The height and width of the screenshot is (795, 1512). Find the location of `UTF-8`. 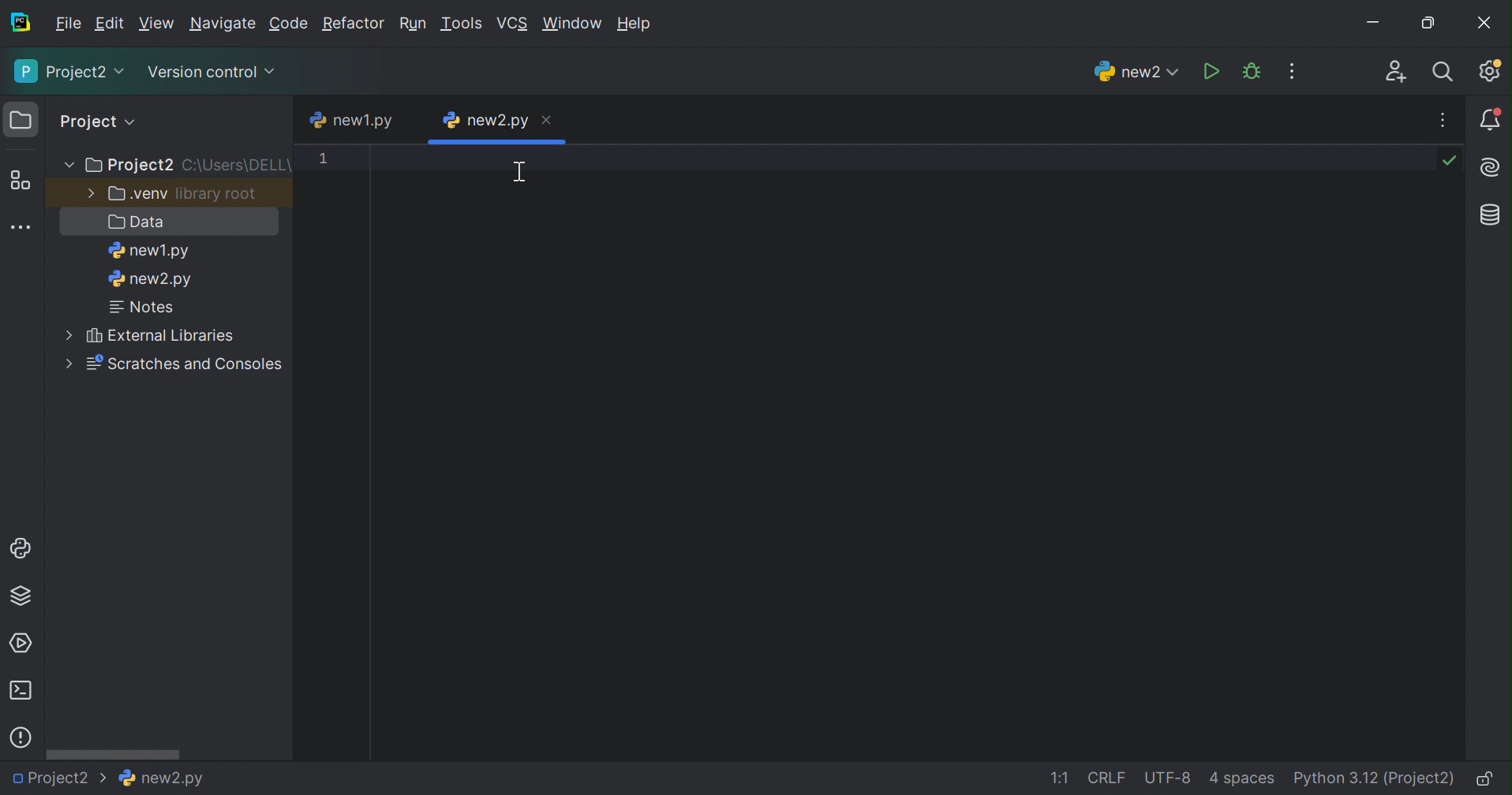

UTF-8 is located at coordinates (1167, 779).